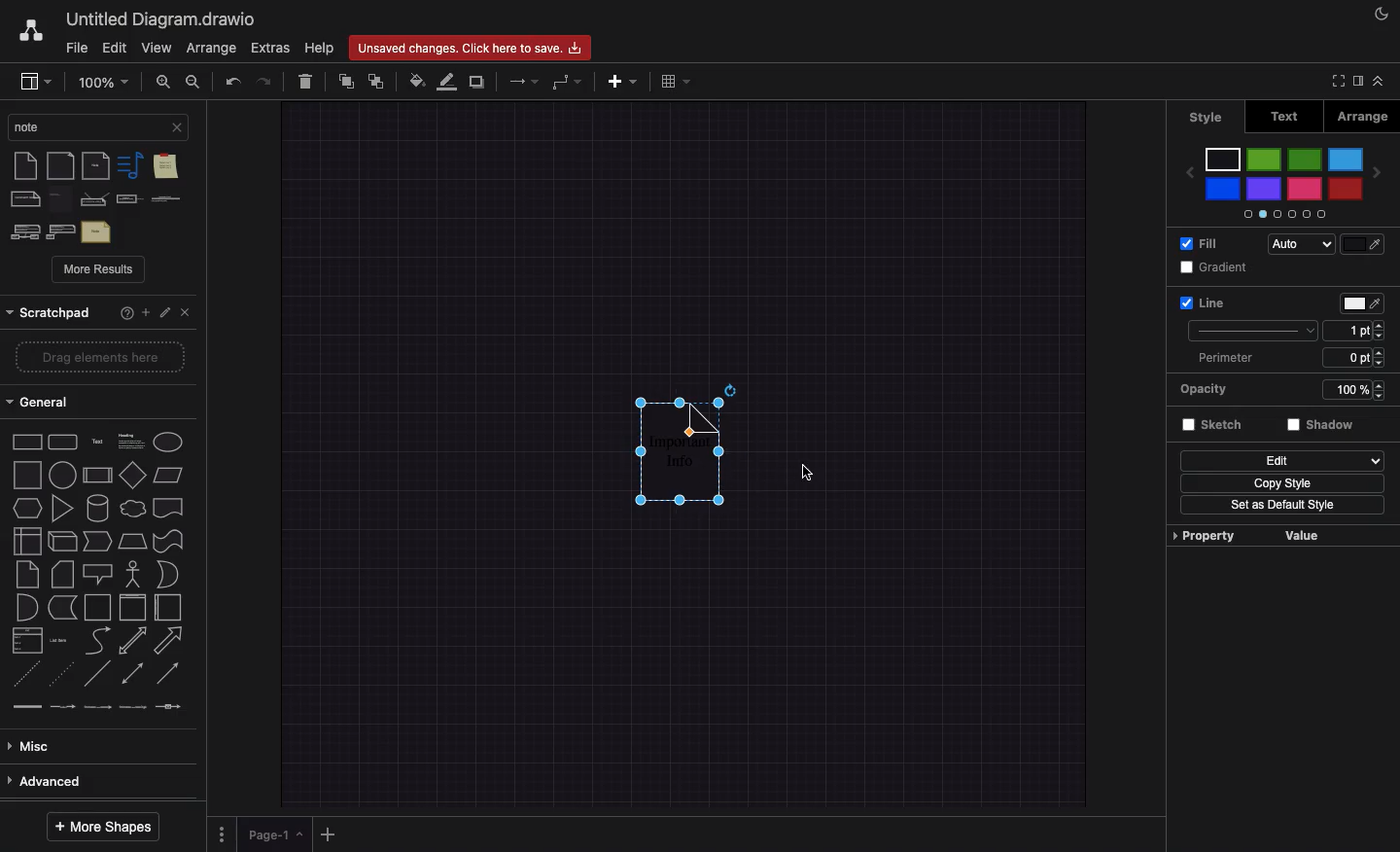 The height and width of the screenshot is (852, 1400). What do you see at coordinates (161, 82) in the screenshot?
I see `Zoom in` at bounding box center [161, 82].